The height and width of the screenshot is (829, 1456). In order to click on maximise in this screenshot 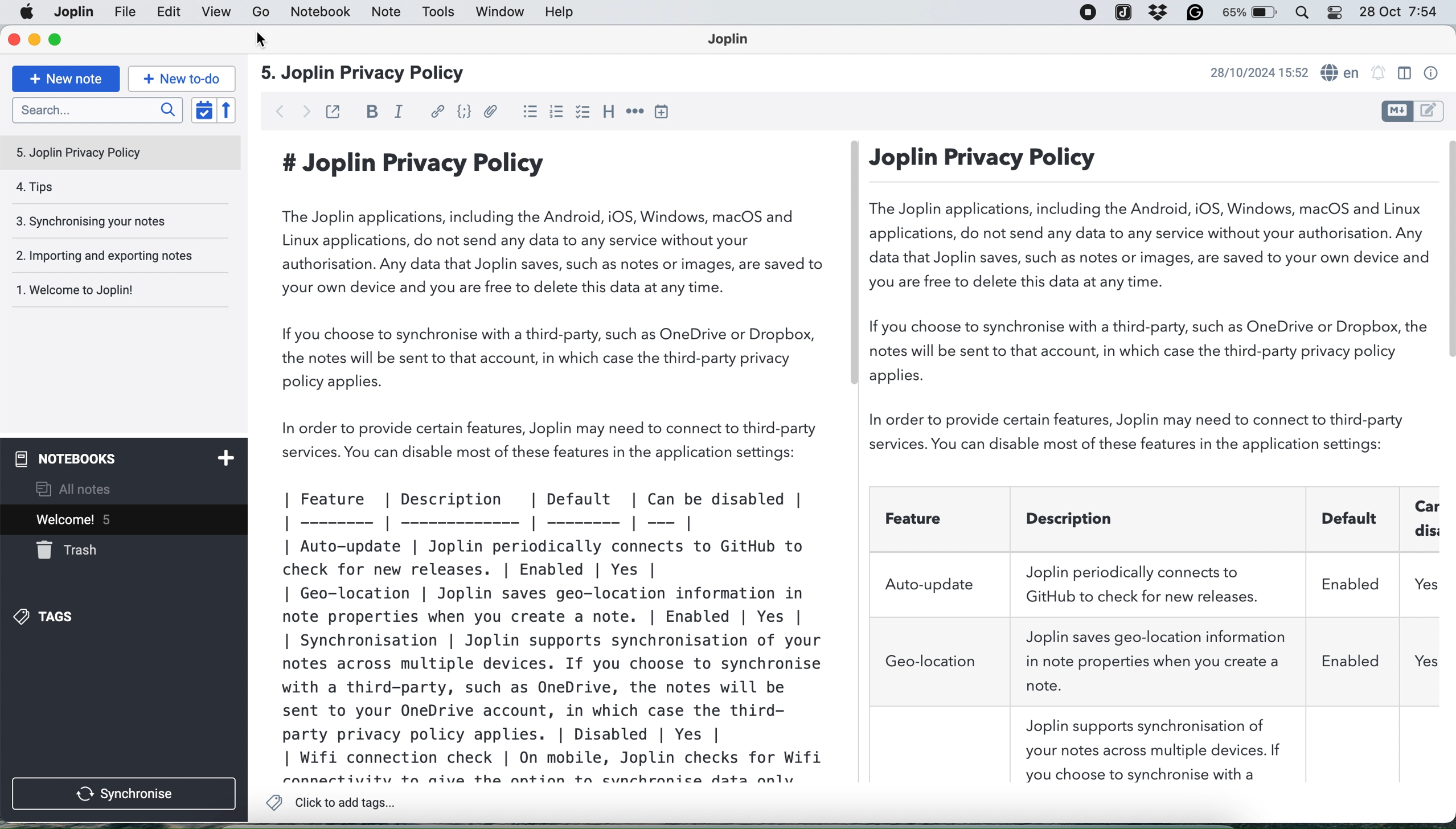, I will do `click(54, 39)`.